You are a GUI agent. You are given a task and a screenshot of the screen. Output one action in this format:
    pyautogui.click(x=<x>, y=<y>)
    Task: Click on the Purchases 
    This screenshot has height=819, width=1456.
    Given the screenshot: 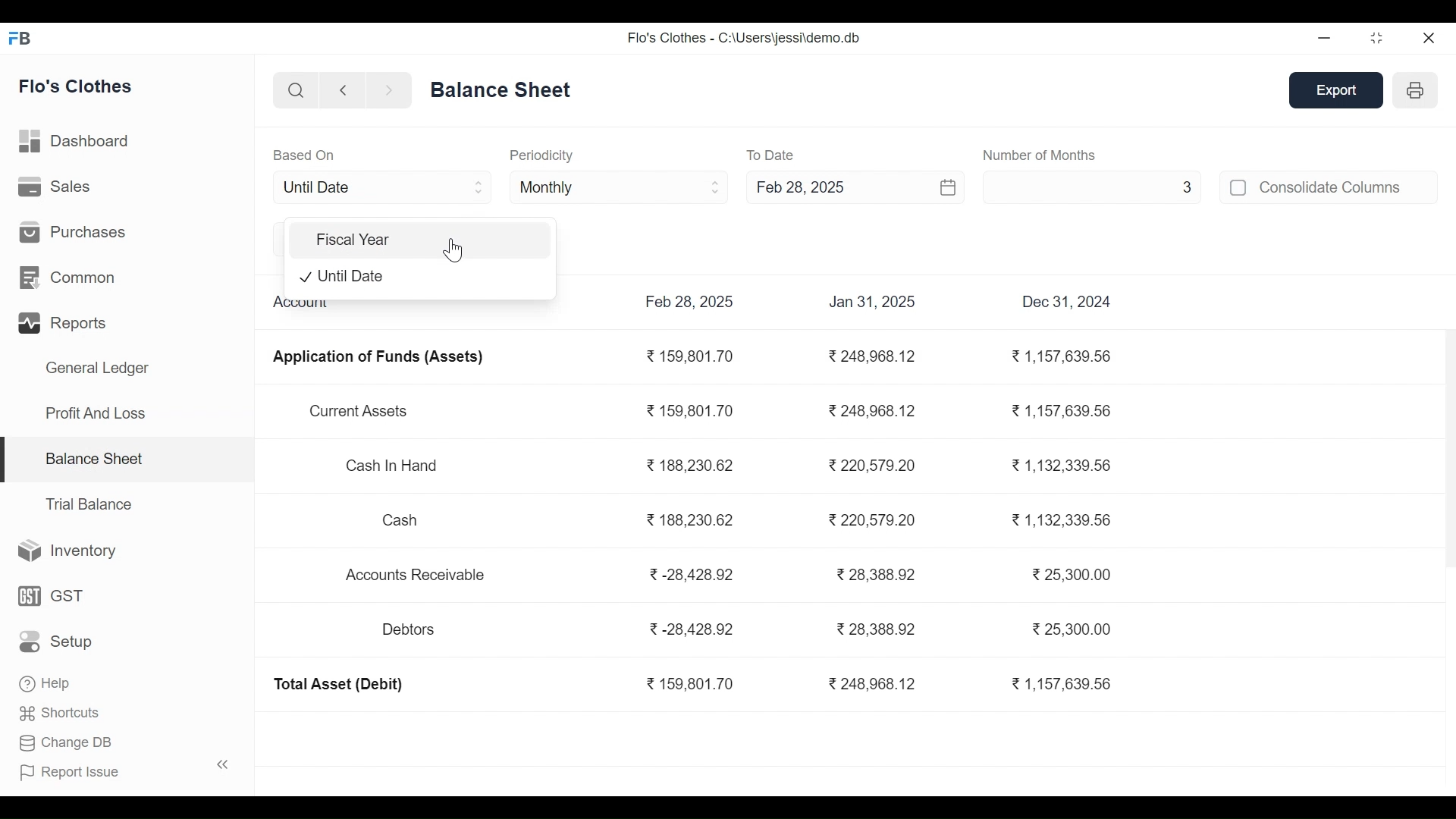 What is the action you would take?
    pyautogui.click(x=73, y=231)
    